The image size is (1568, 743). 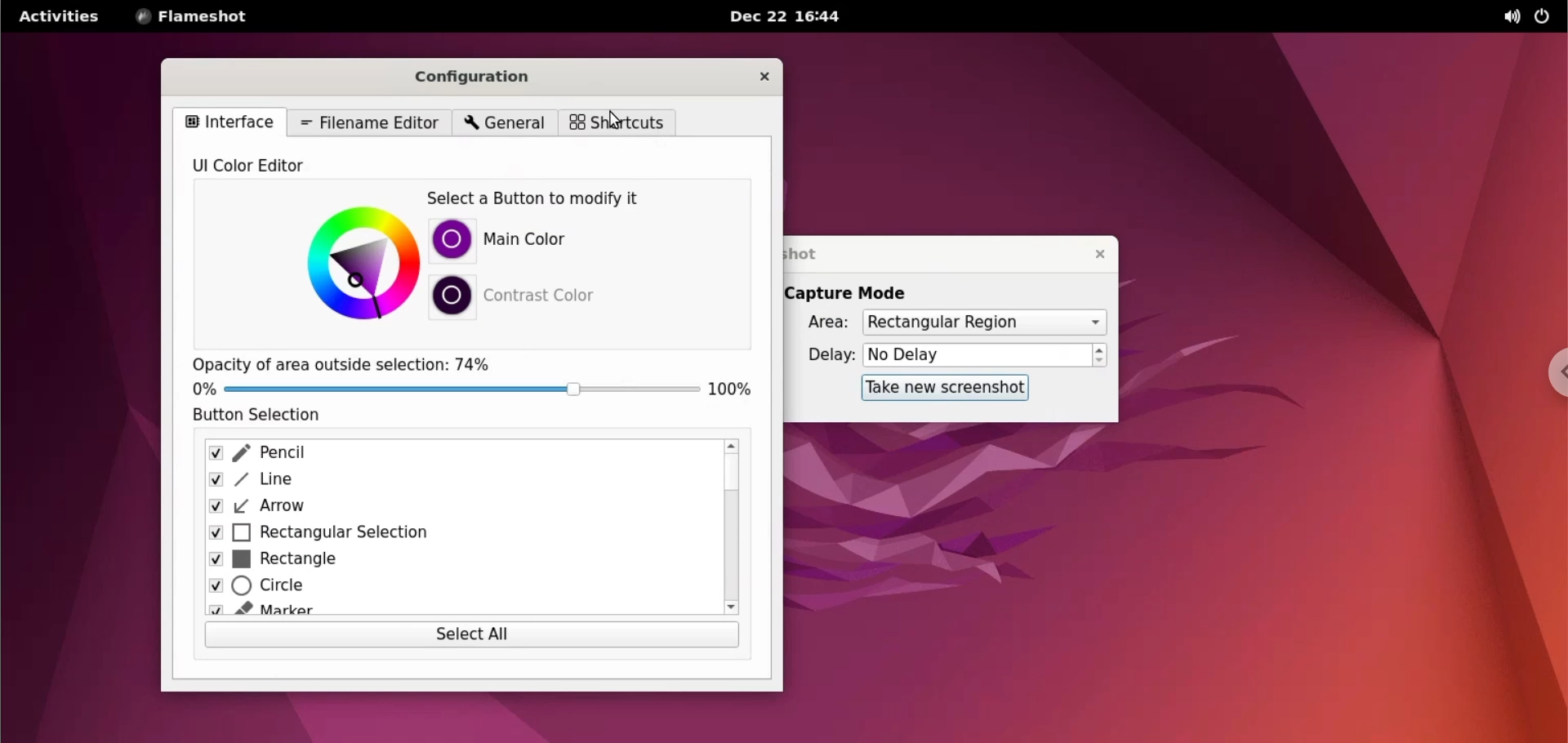 What do you see at coordinates (791, 16) in the screenshot?
I see `Dec 22 16:44` at bounding box center [791, 16].